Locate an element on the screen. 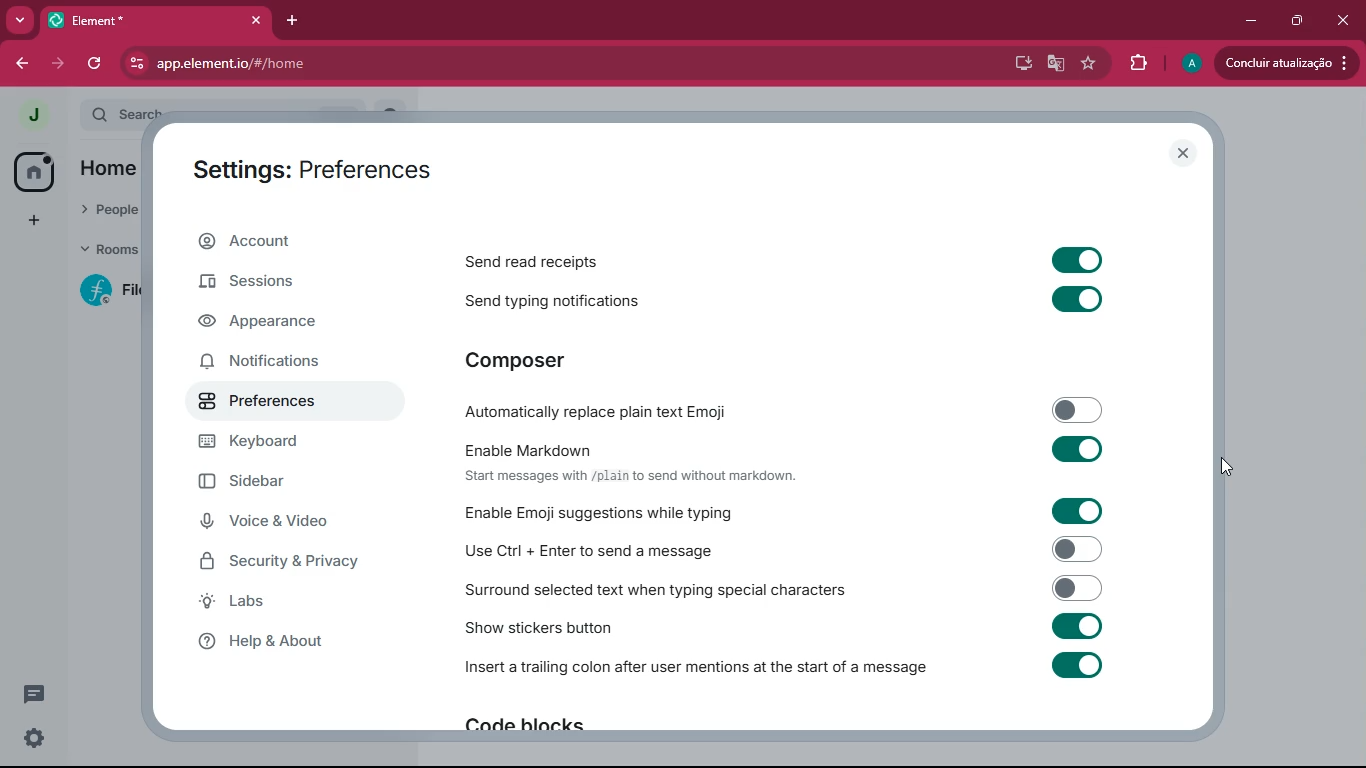  voice & video is located at coordinates (280, 523).